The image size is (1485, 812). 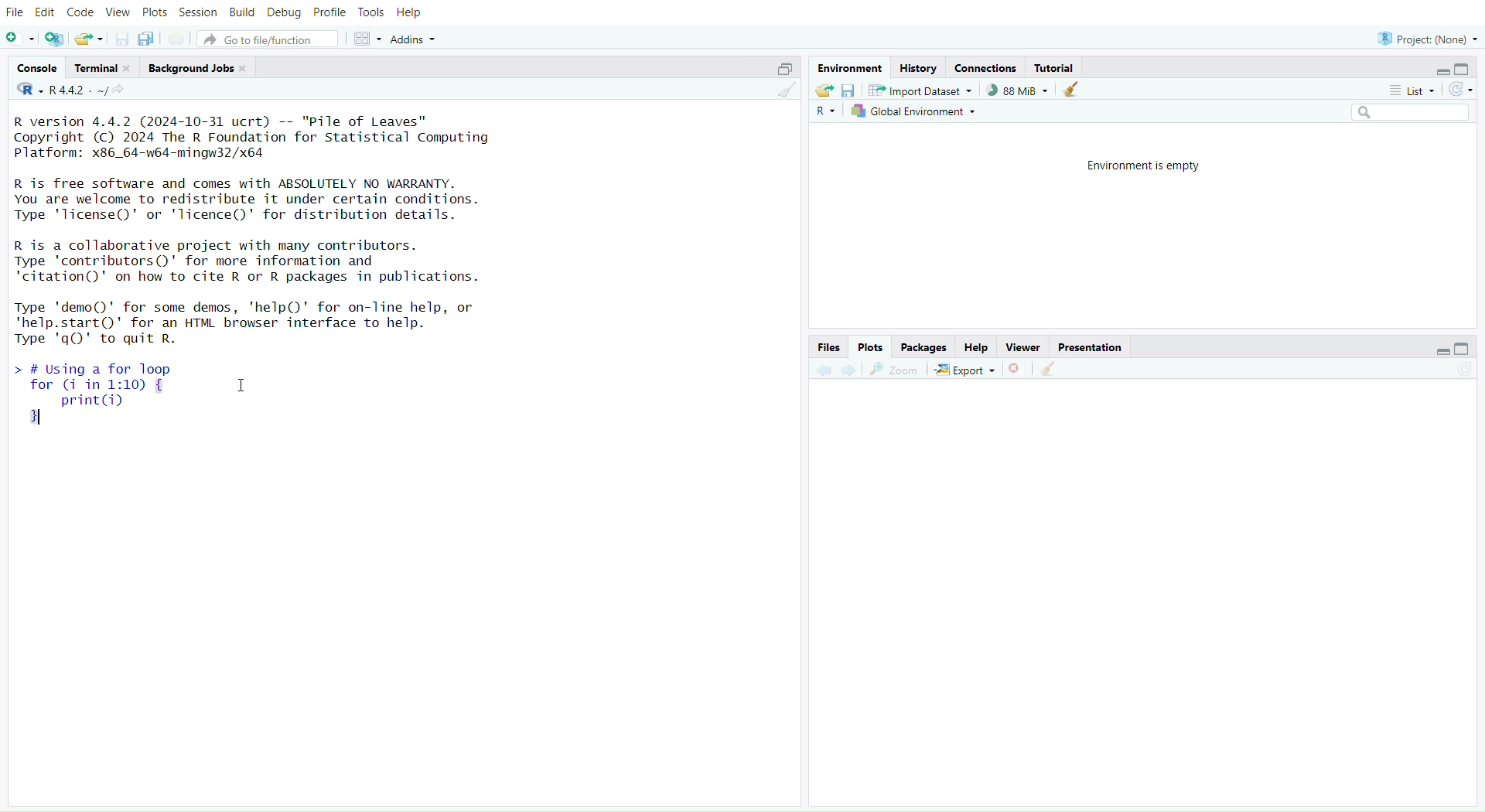 I want to click on sessions, so click(x=199, y=12).